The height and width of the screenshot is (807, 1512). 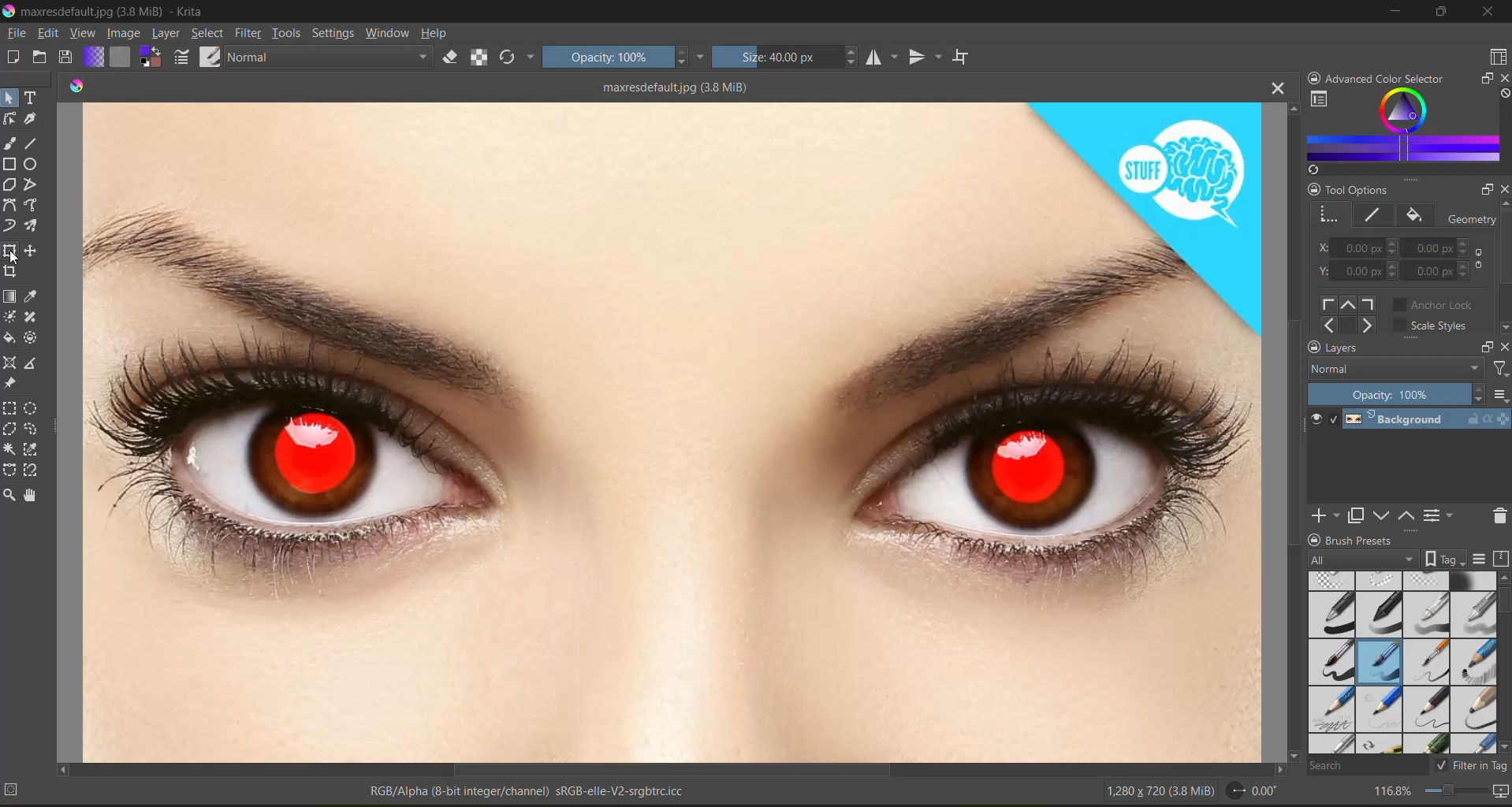 What do you see at coordinates (166, 33) in the screenshot?
I see `layer` at bounding box center [166, 33].